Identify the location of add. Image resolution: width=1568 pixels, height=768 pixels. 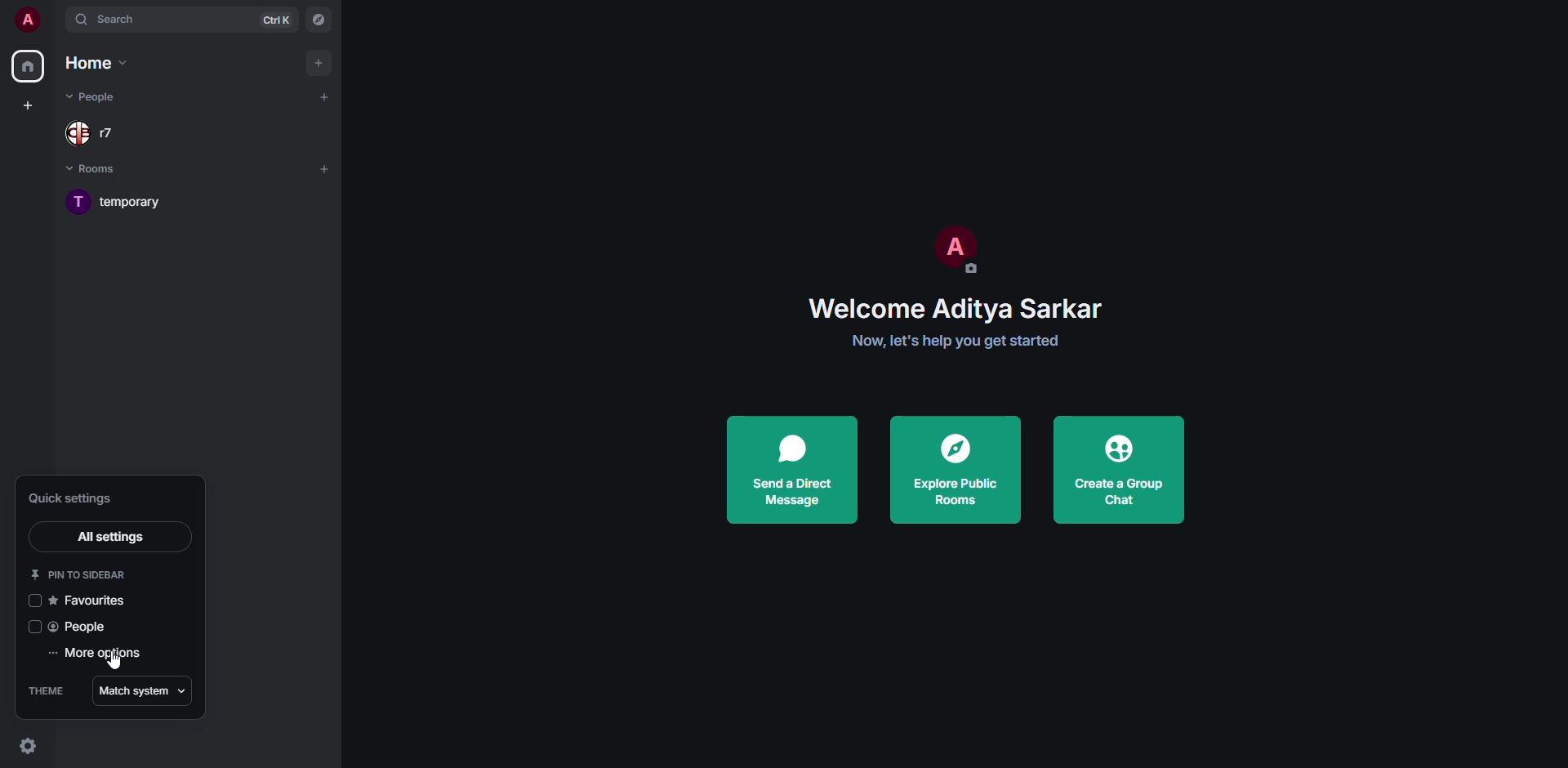
(325, 167).